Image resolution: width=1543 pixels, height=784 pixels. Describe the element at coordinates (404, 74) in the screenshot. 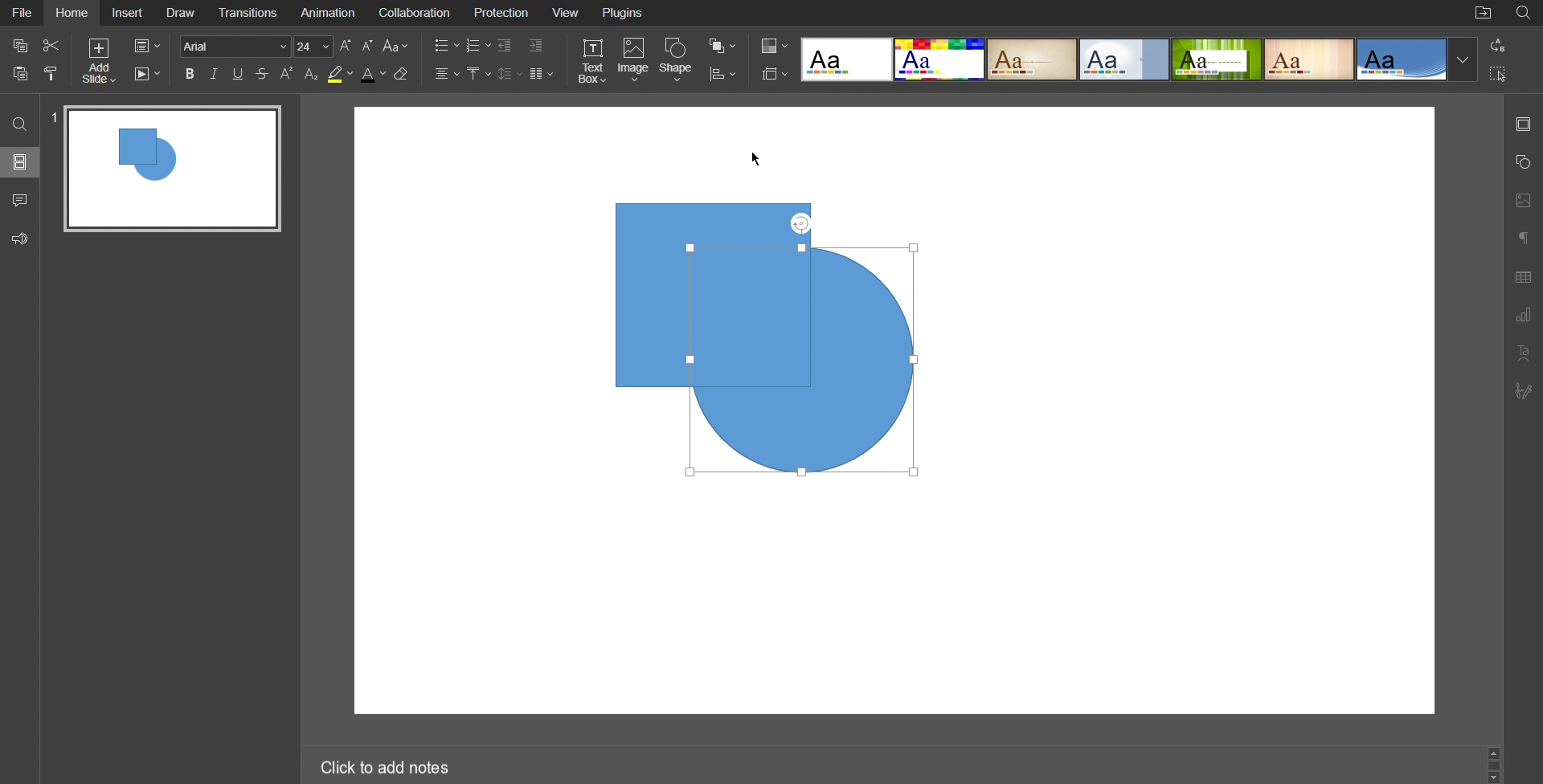

I see `Erase` at that location.